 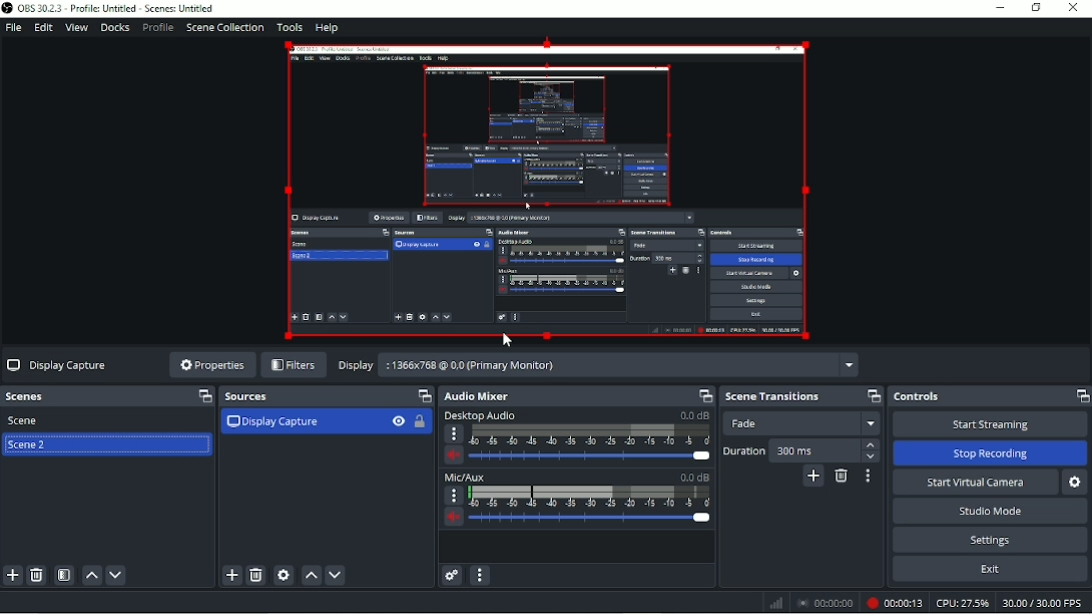 What do you see at coordinates (247, 398) in the screenshot?
I see `Sources` at bounding box center [247, 398].